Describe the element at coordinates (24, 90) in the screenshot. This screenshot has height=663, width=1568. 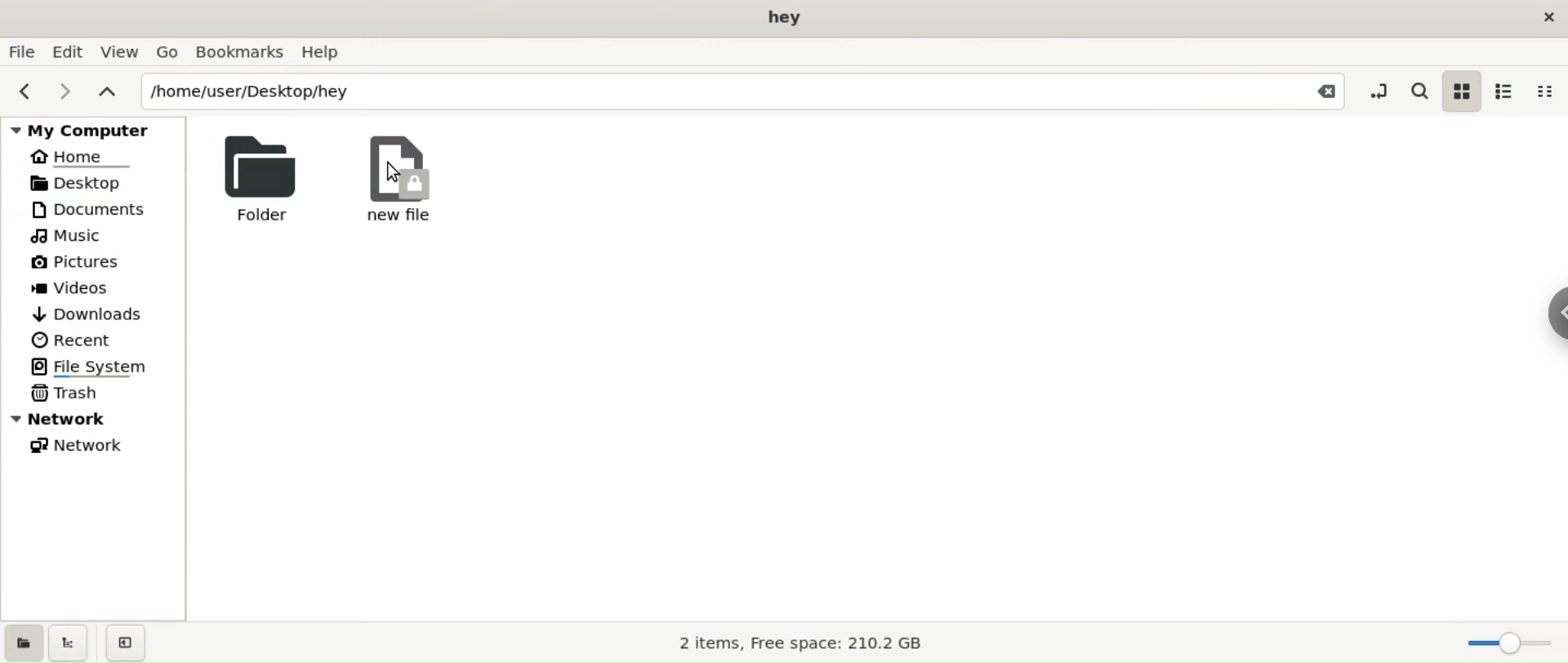
I see `previous` at that location.